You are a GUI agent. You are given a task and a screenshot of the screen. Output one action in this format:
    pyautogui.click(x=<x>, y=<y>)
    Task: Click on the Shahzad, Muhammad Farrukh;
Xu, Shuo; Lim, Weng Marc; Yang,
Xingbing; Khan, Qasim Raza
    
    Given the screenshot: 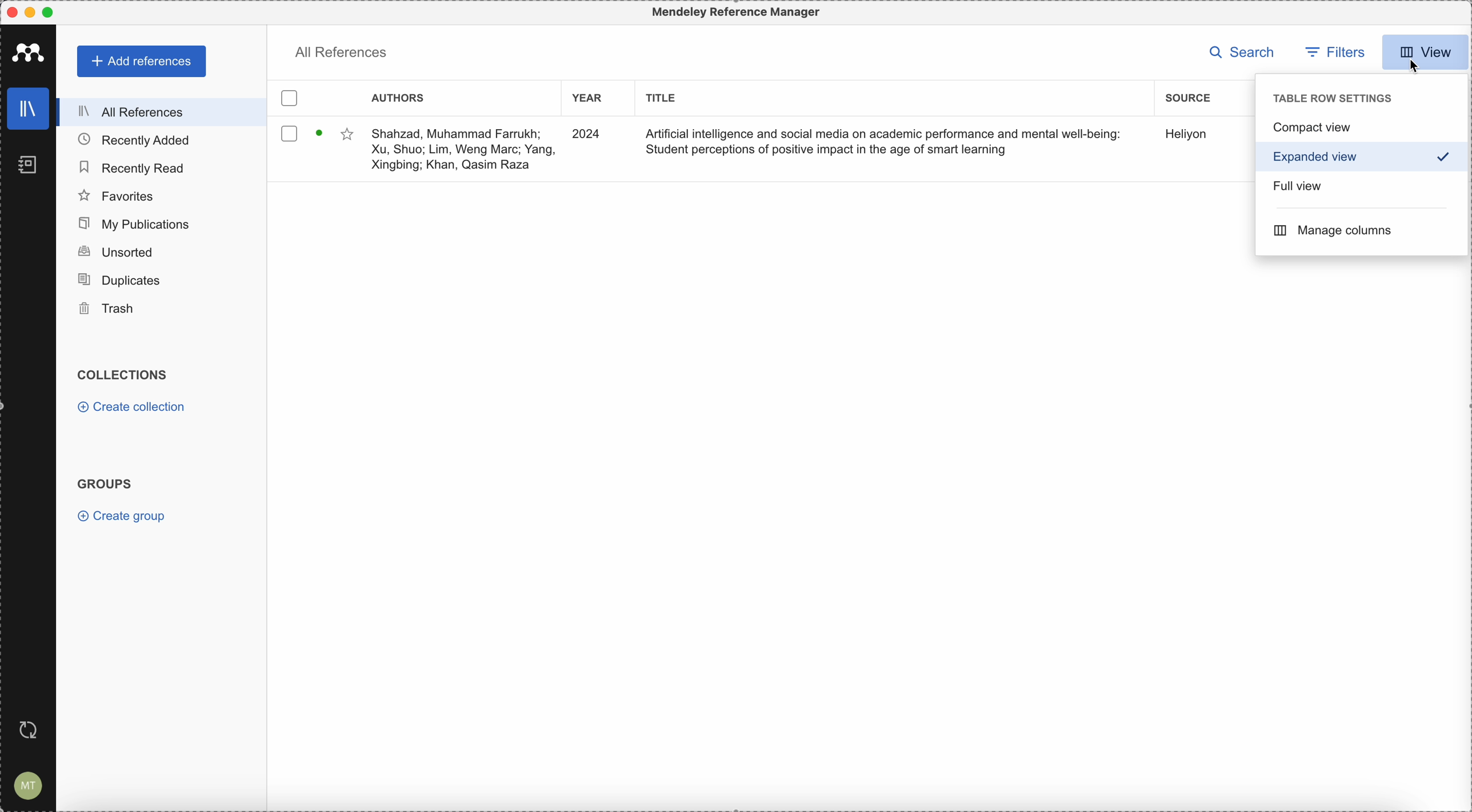 What is the action you would take?
    pyautogui.click(x=462, y=153)
    